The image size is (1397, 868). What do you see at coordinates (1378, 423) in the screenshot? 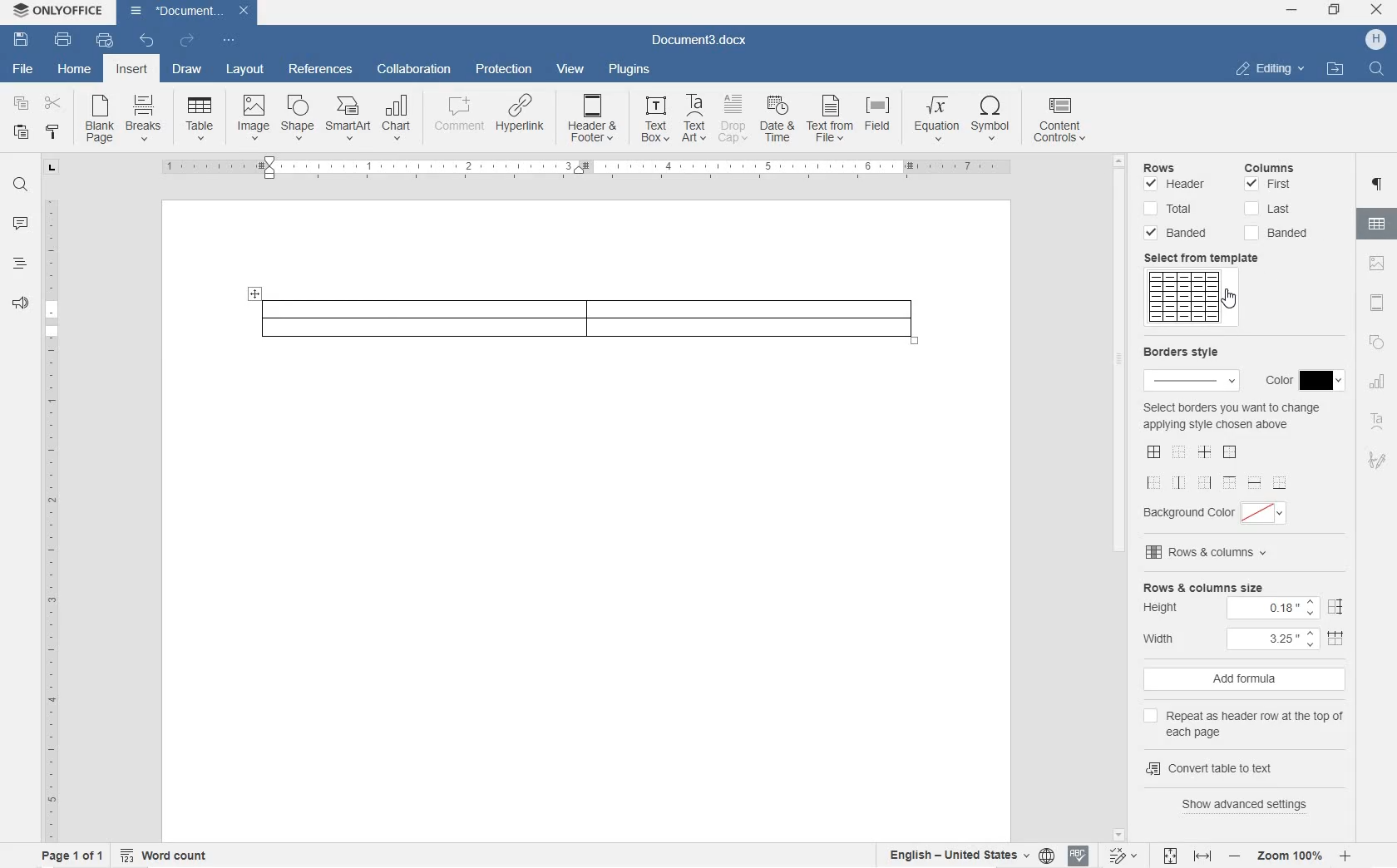
I see `TEXT ART` at bounding box center [1378, 423].